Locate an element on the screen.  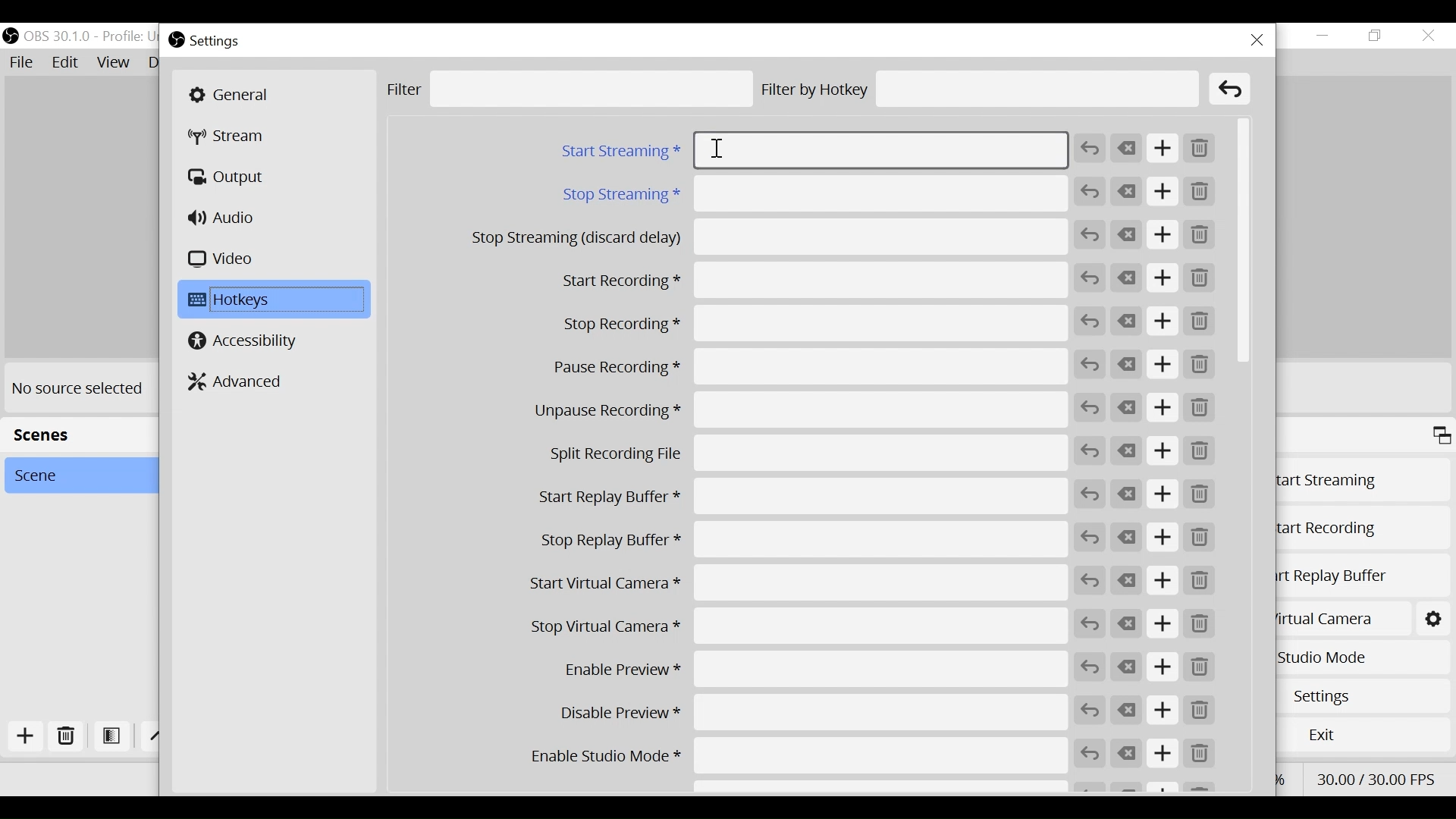
Clear is located at coordinates (1128, 191).